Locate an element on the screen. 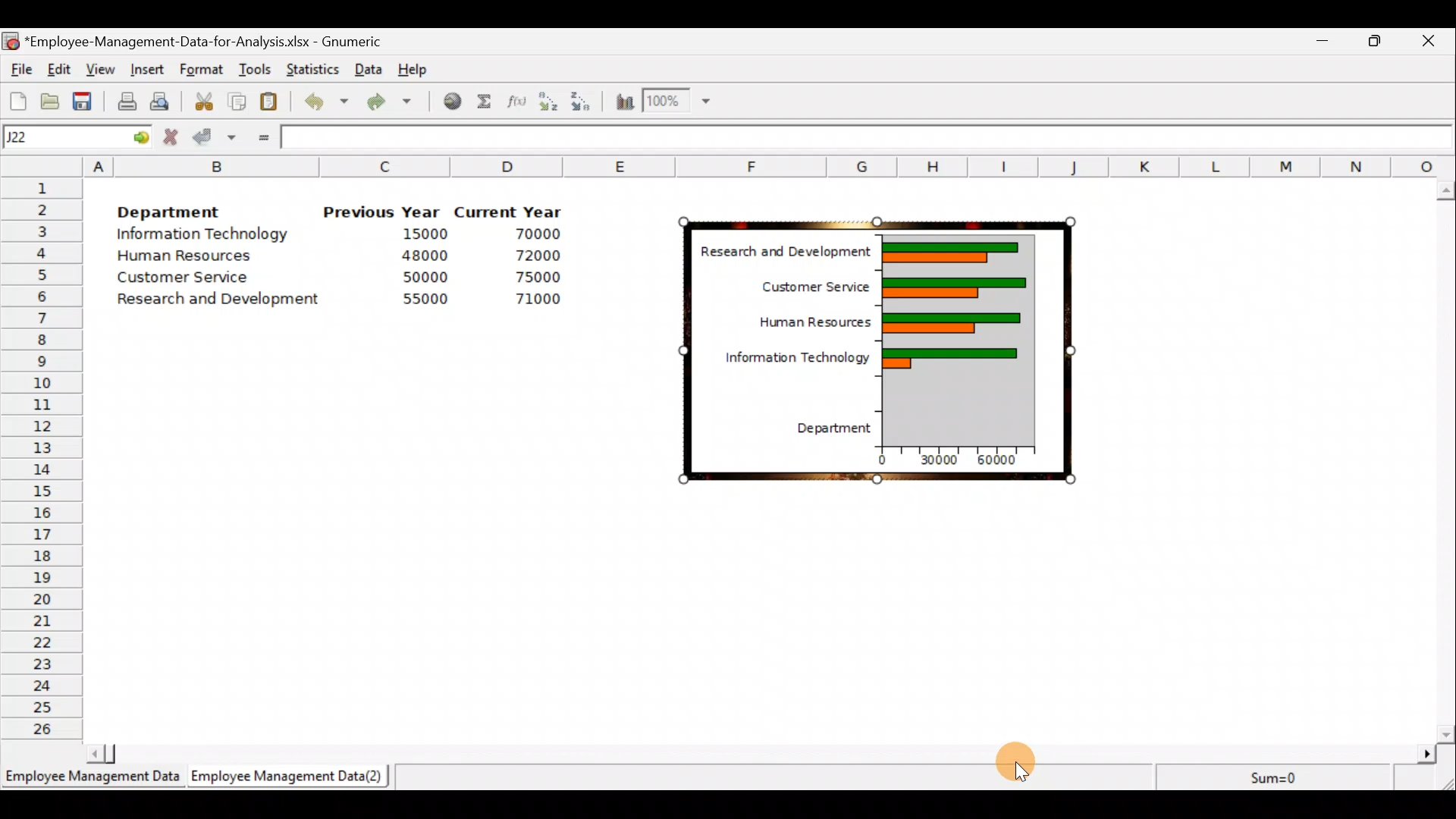  Cells is located at coordinates (766, 613).